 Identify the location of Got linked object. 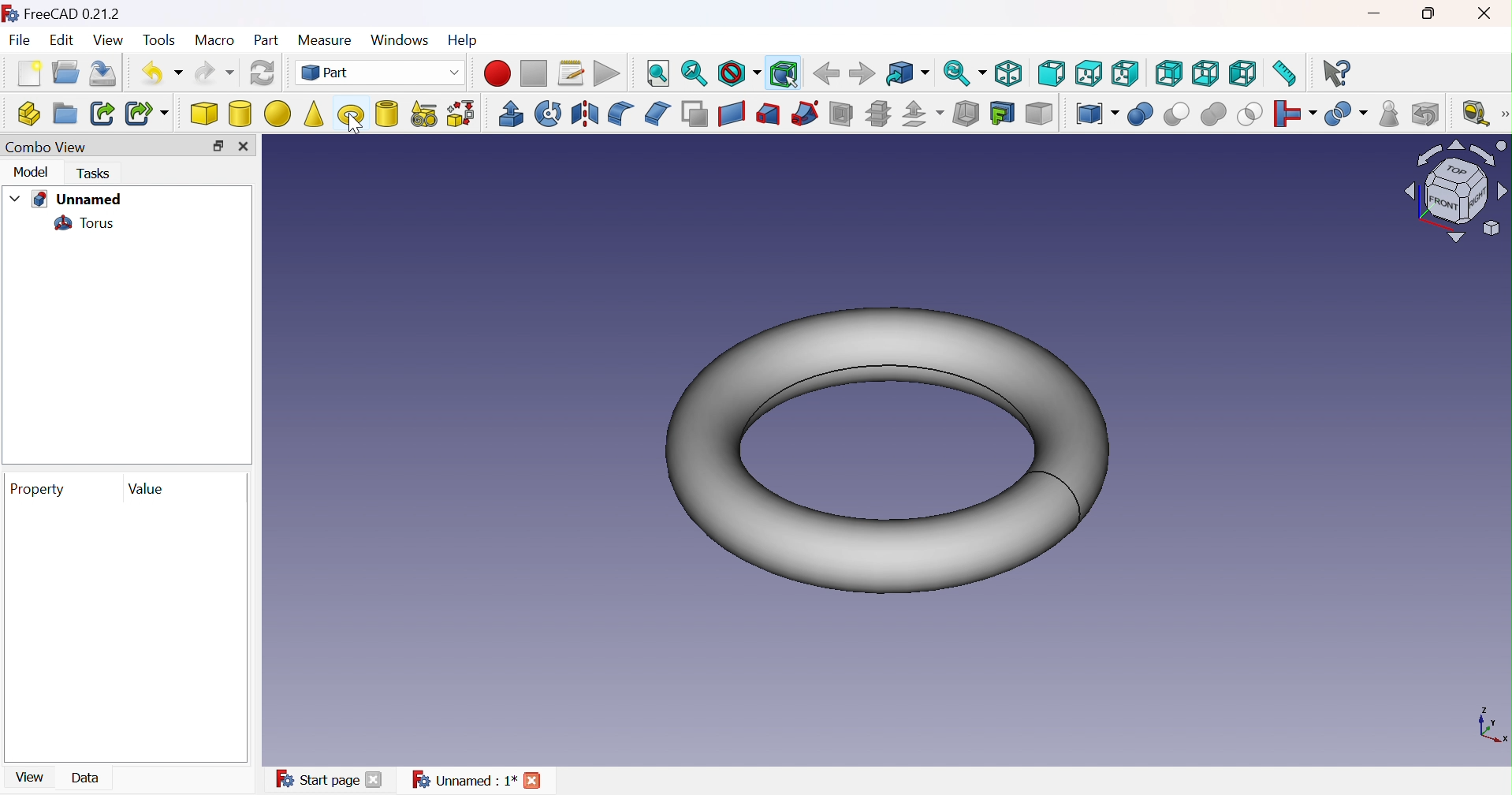
(907, 74).